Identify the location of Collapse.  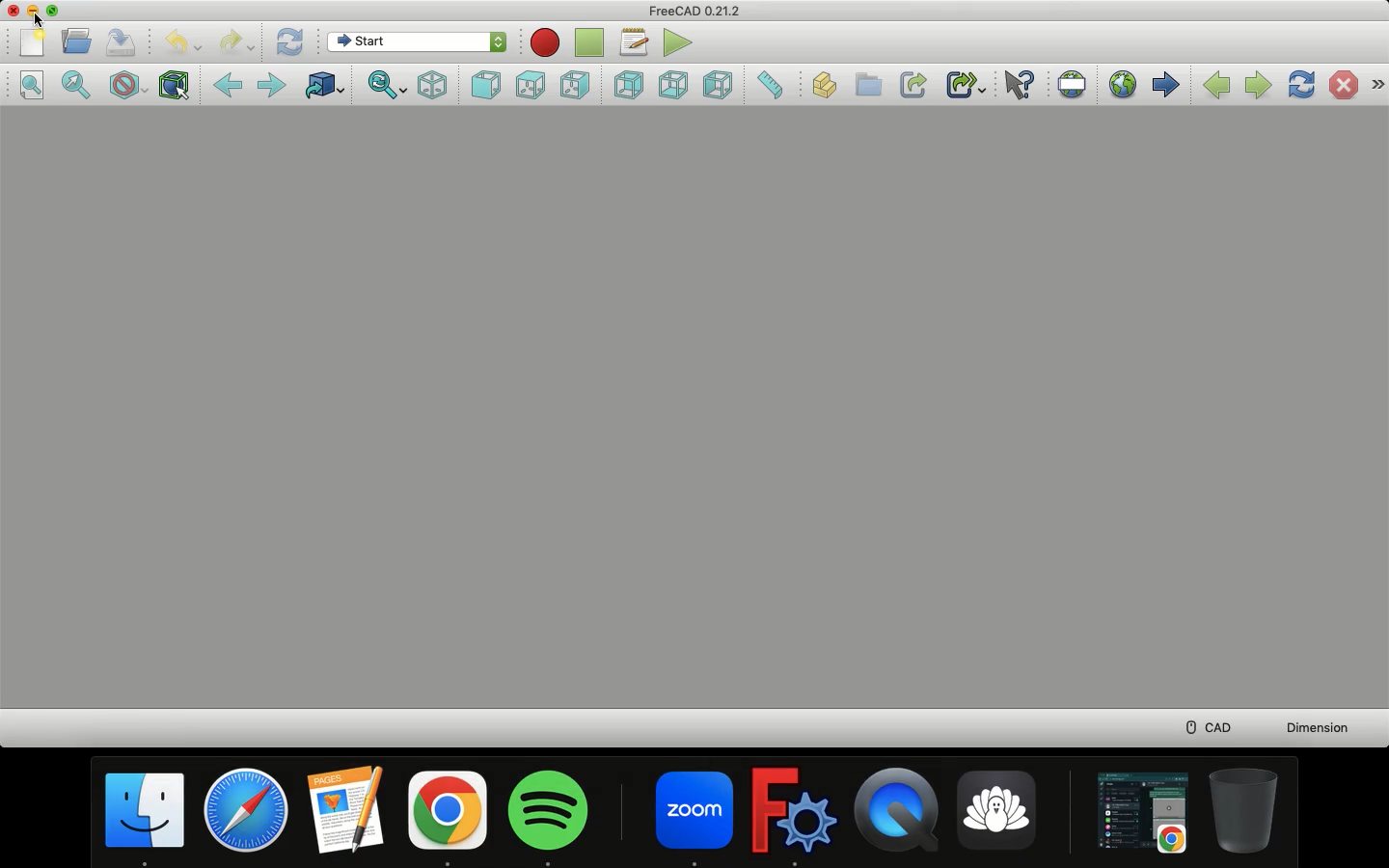
(56, 11).